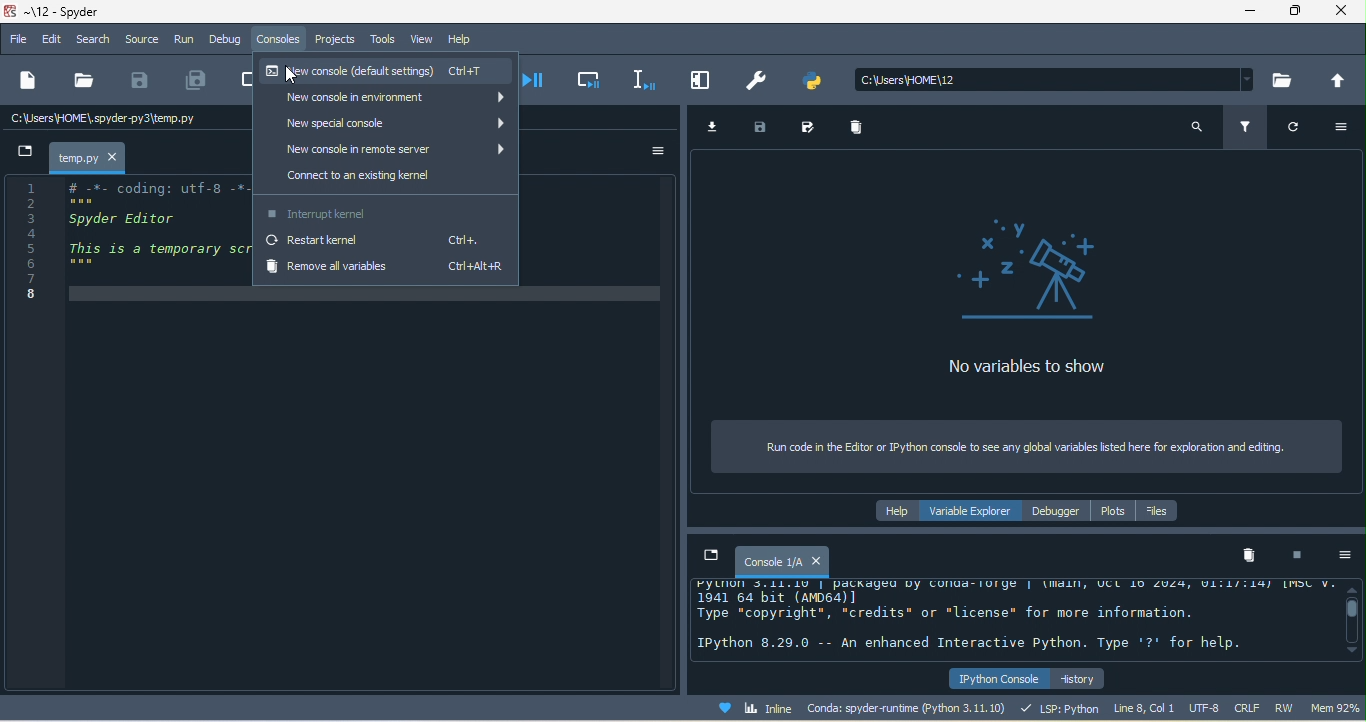 The height and width of the screenshot is (722, 1366). Describe the element at coordinates (463, 40) in the screenshot. I see `help` at that location.